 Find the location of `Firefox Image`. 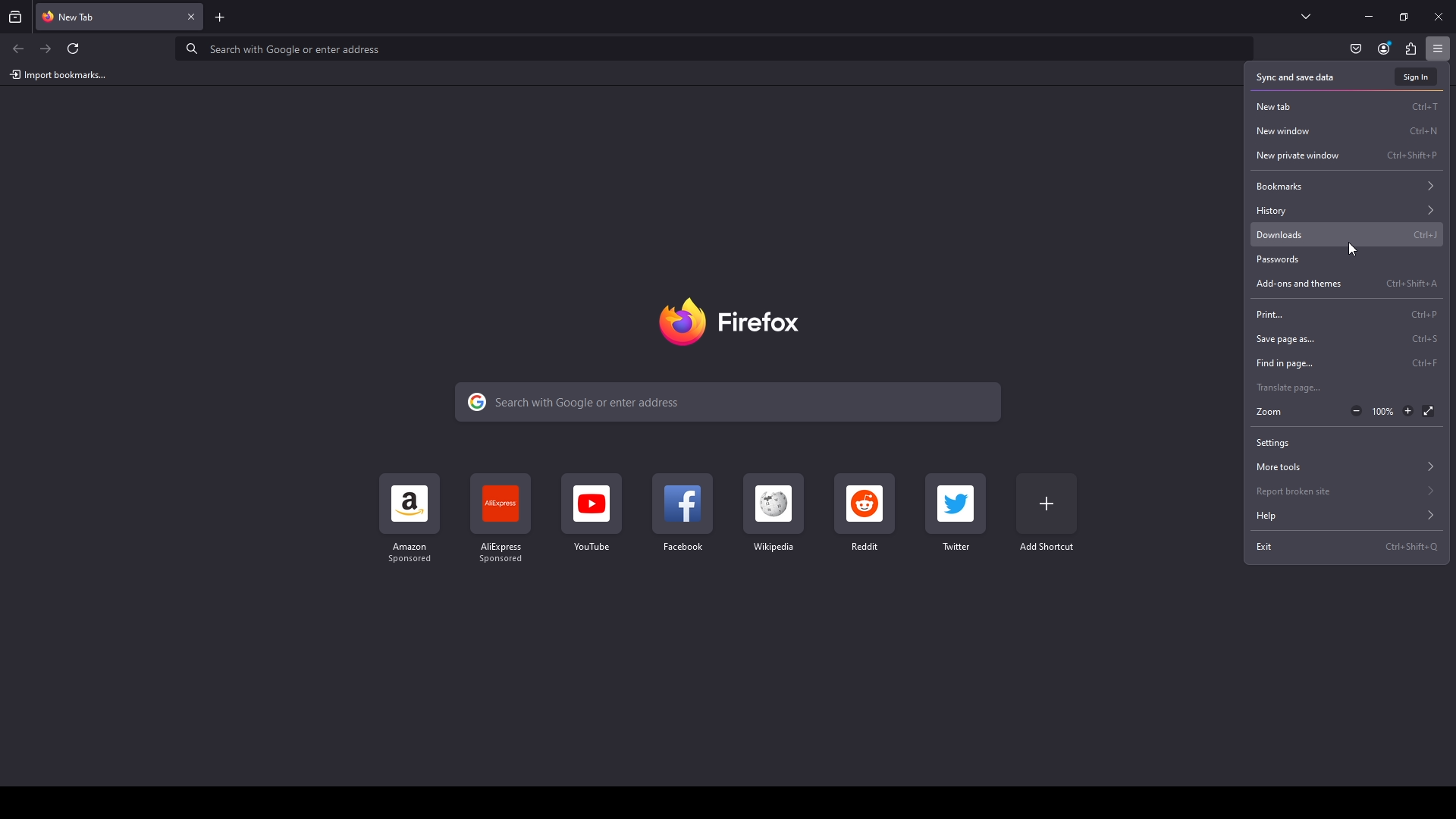

Firefox Image is located at coordinates (736, 322).